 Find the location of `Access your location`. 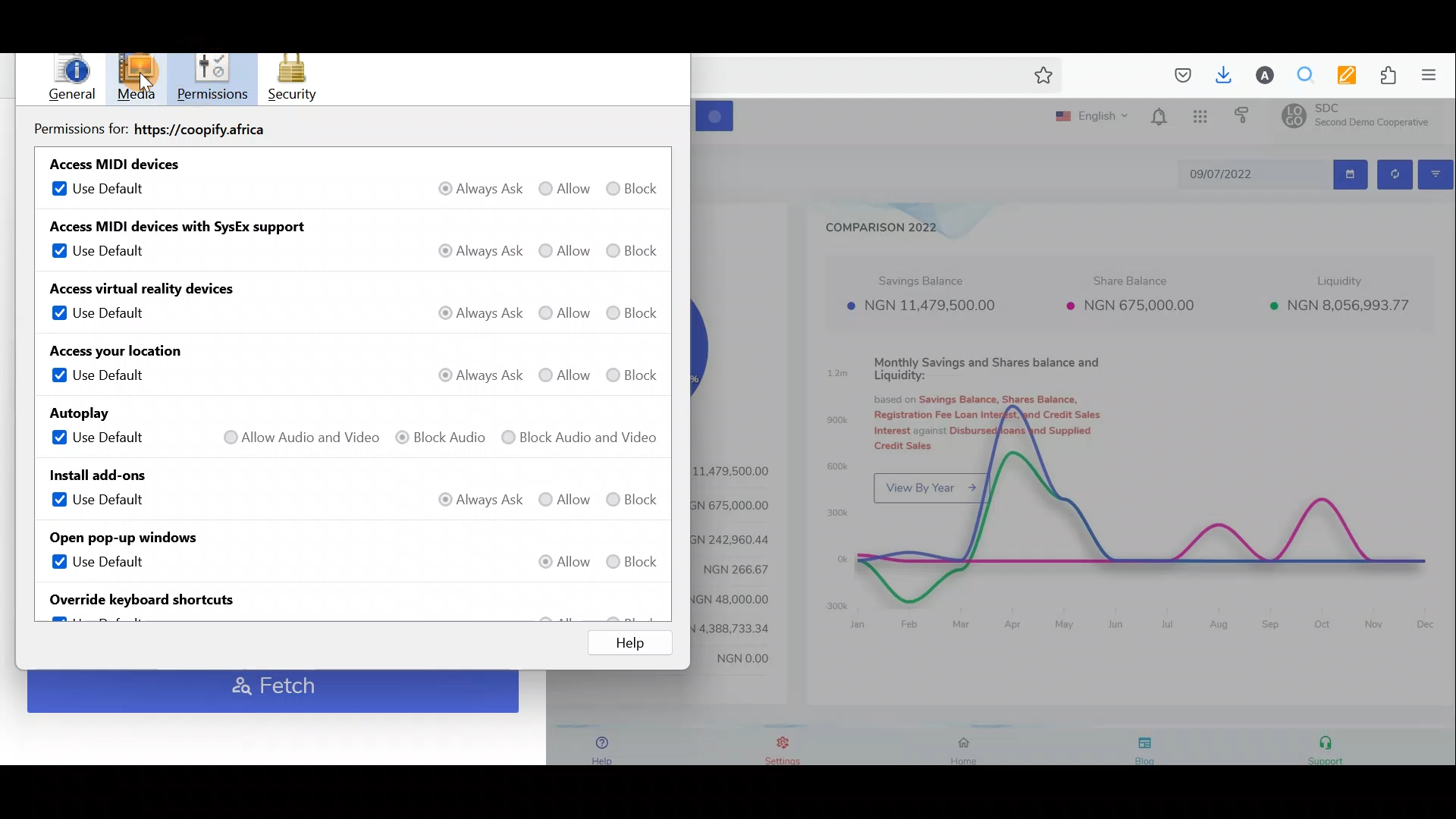

Access your location is located at coordinates (121, 351).